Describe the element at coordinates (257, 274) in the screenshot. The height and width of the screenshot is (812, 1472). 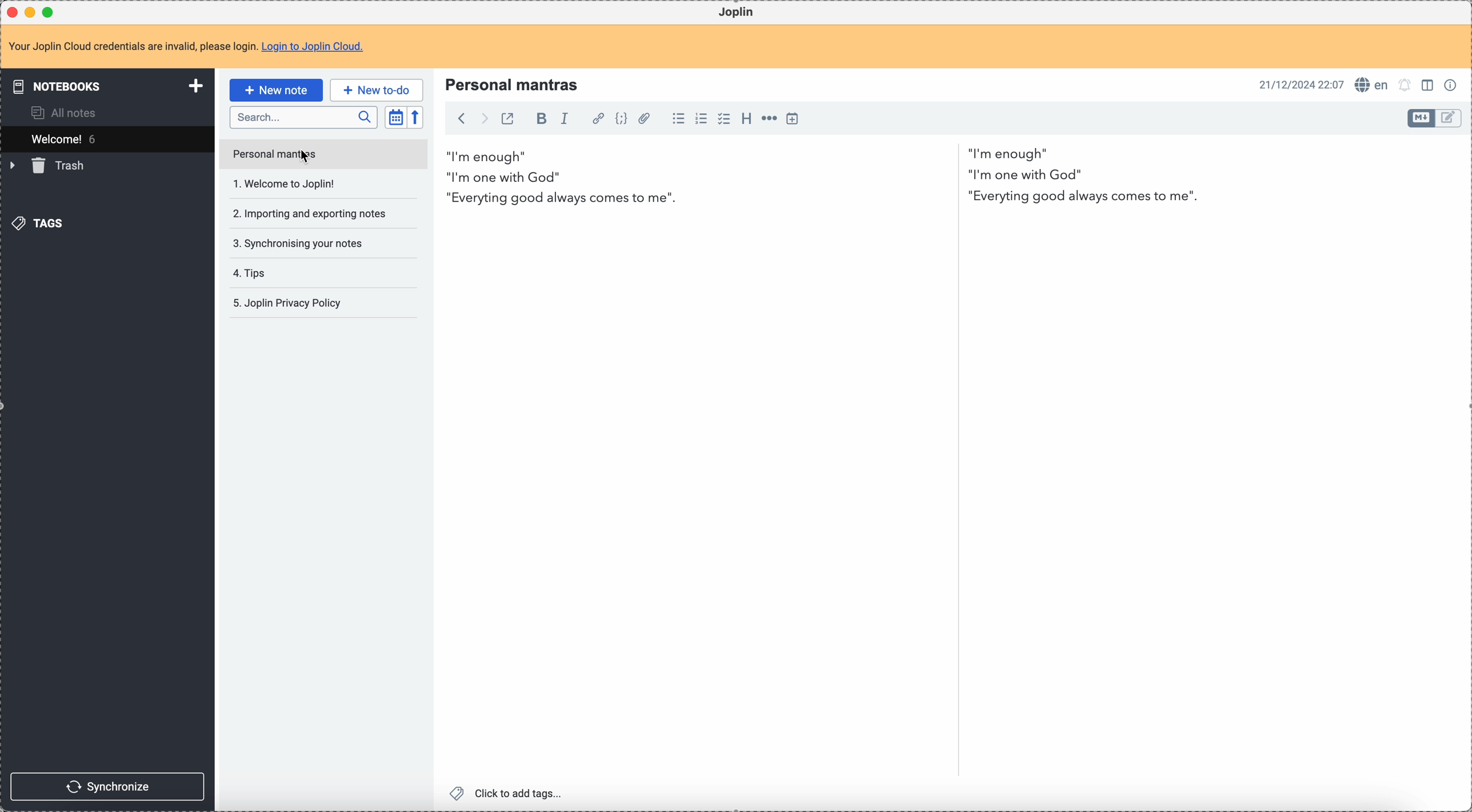
I see `tips` at that location.